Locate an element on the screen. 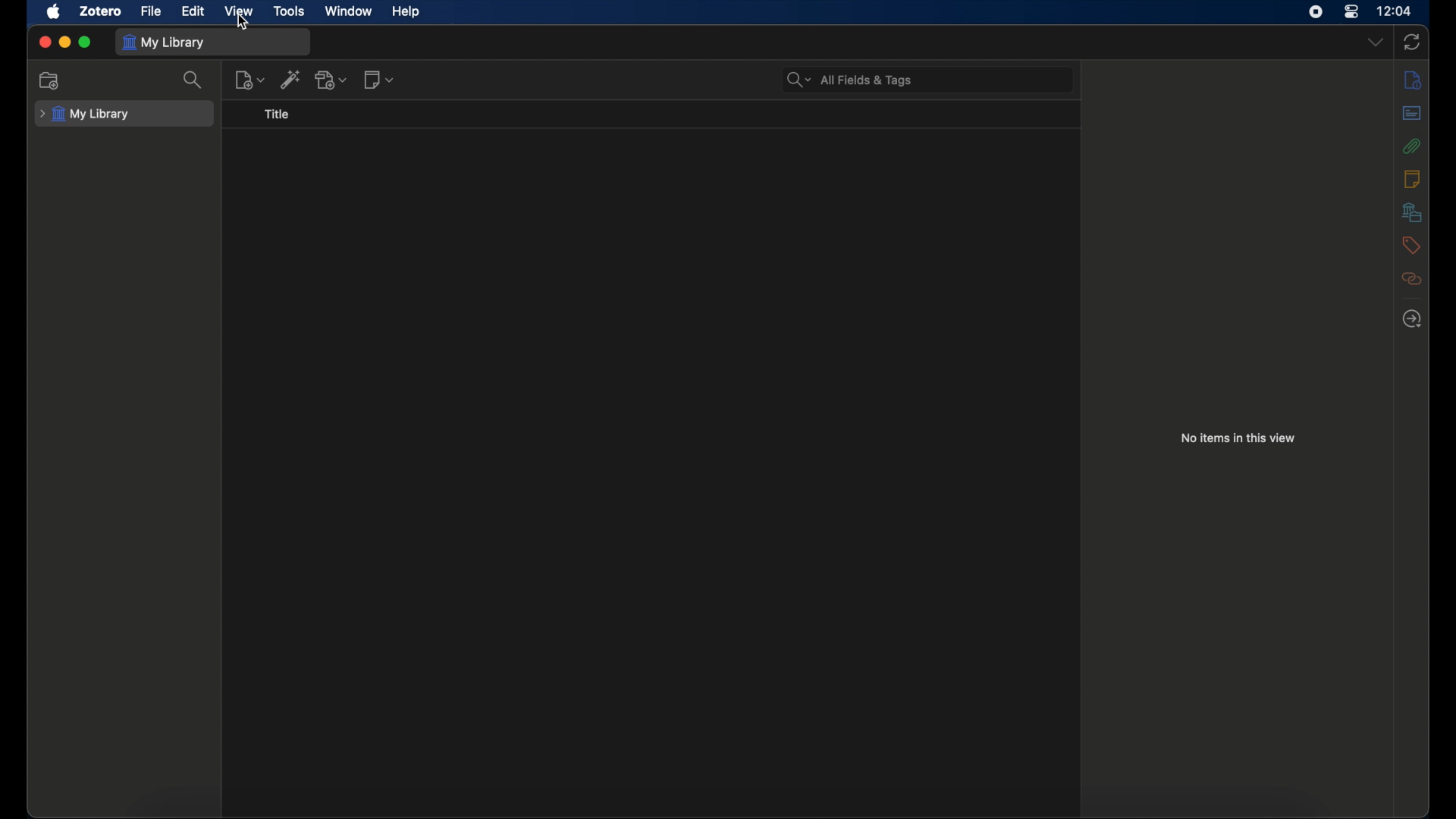 The image size is (1456, 819). search  is located at coordinates (195, 80).